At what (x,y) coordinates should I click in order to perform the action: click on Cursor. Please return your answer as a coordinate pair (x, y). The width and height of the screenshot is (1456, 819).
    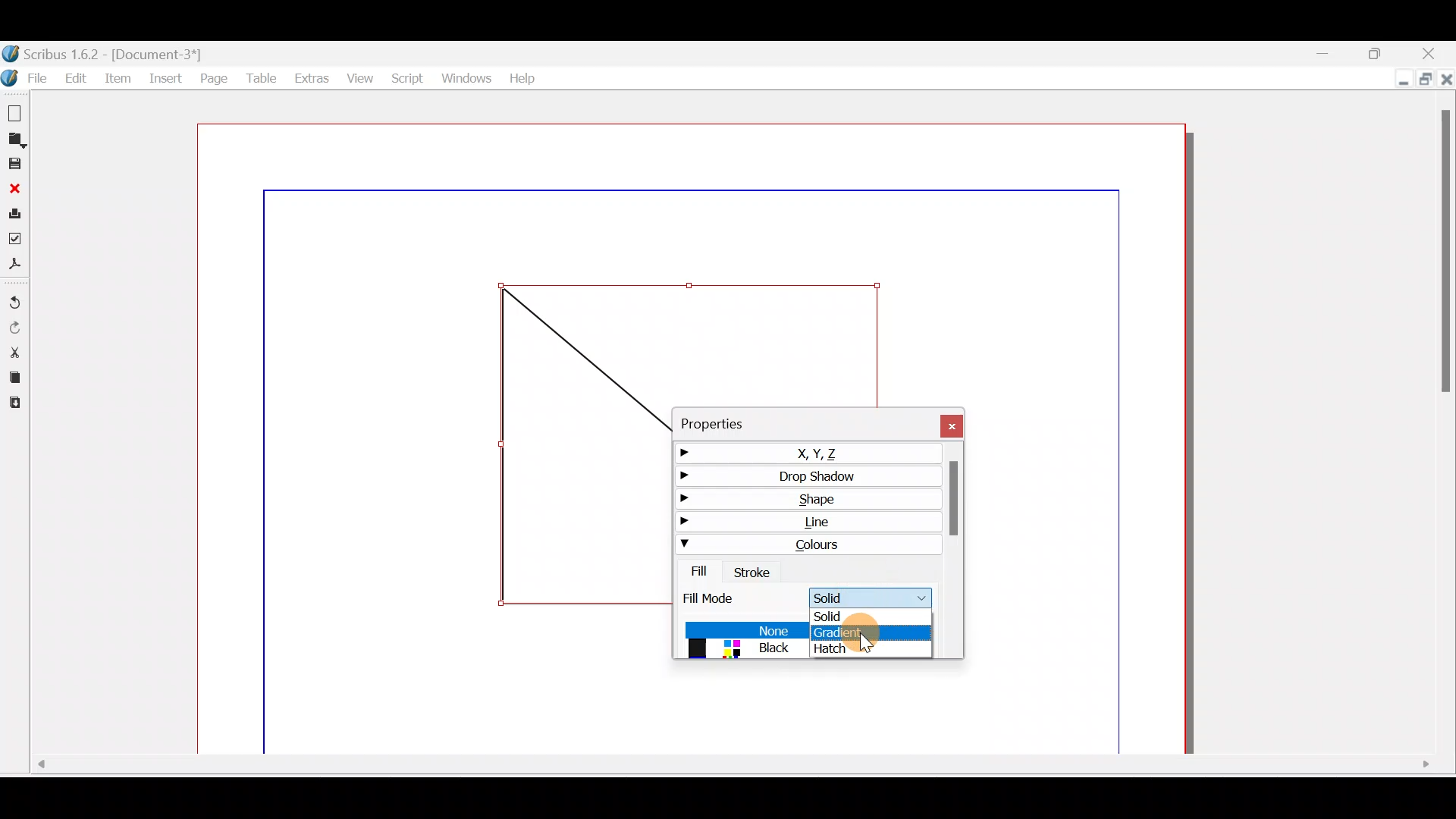
    Looking at the image, I should click on (870, 595).